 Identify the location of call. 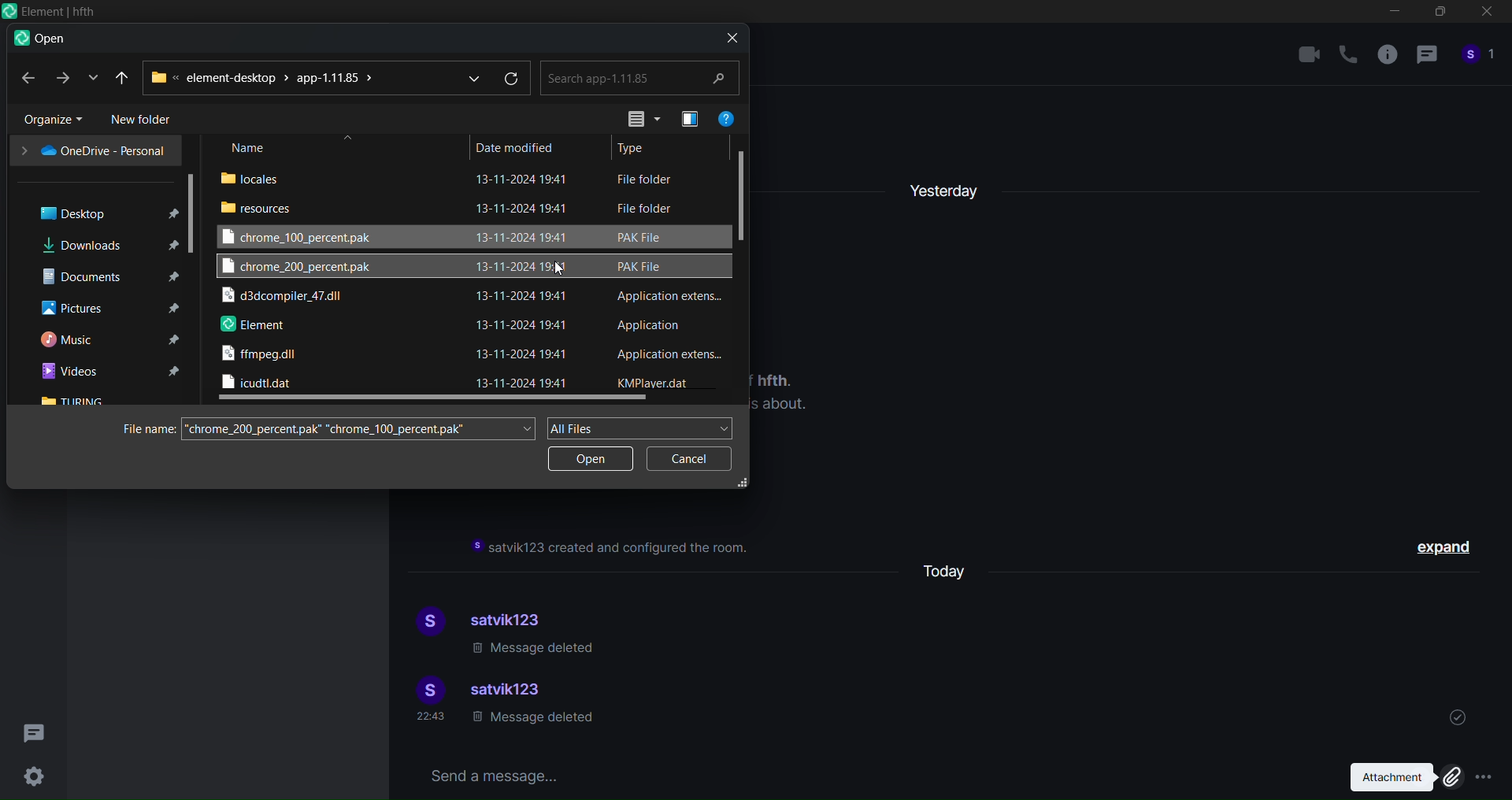
(1348, 55).